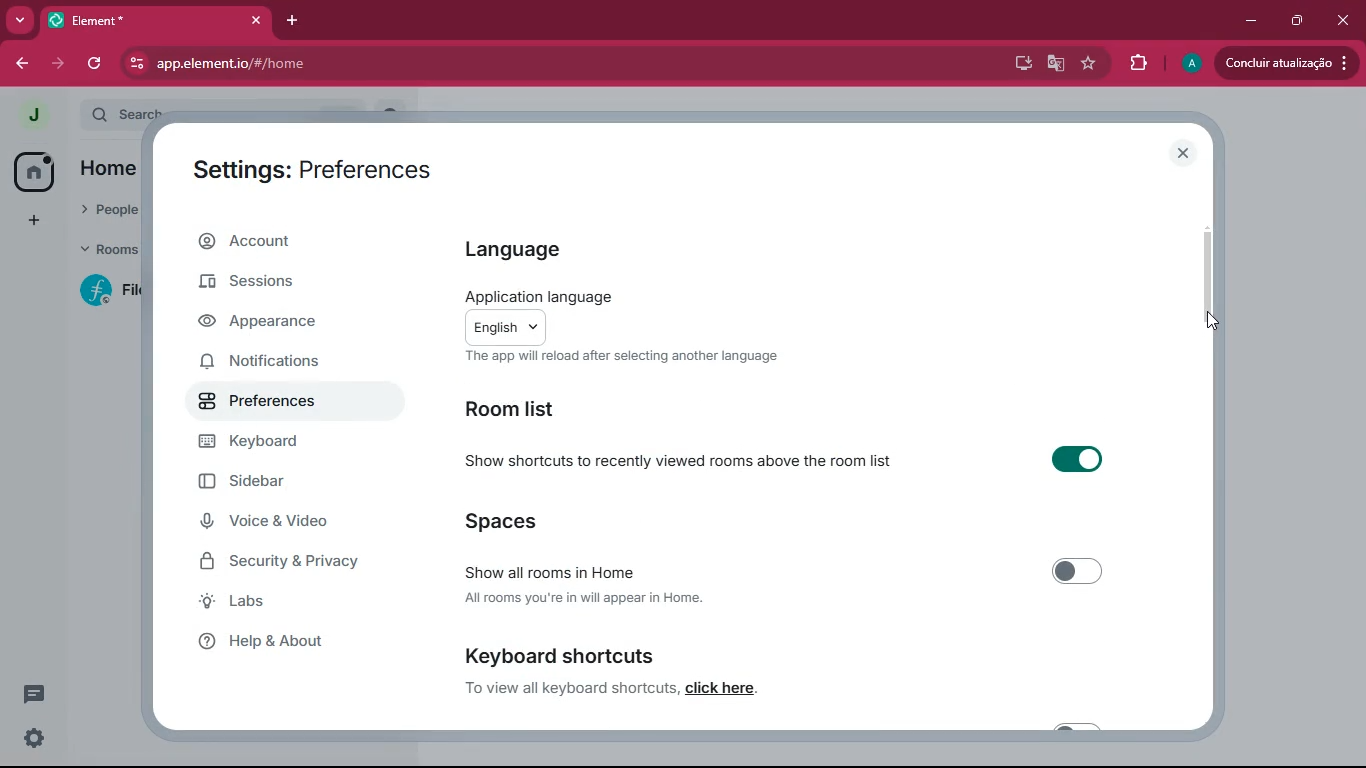 The width and height of the screenshot is (1366, 768). Describe the element at coordinates (268, 285) in the screenshot. I see `sessions` at that location.